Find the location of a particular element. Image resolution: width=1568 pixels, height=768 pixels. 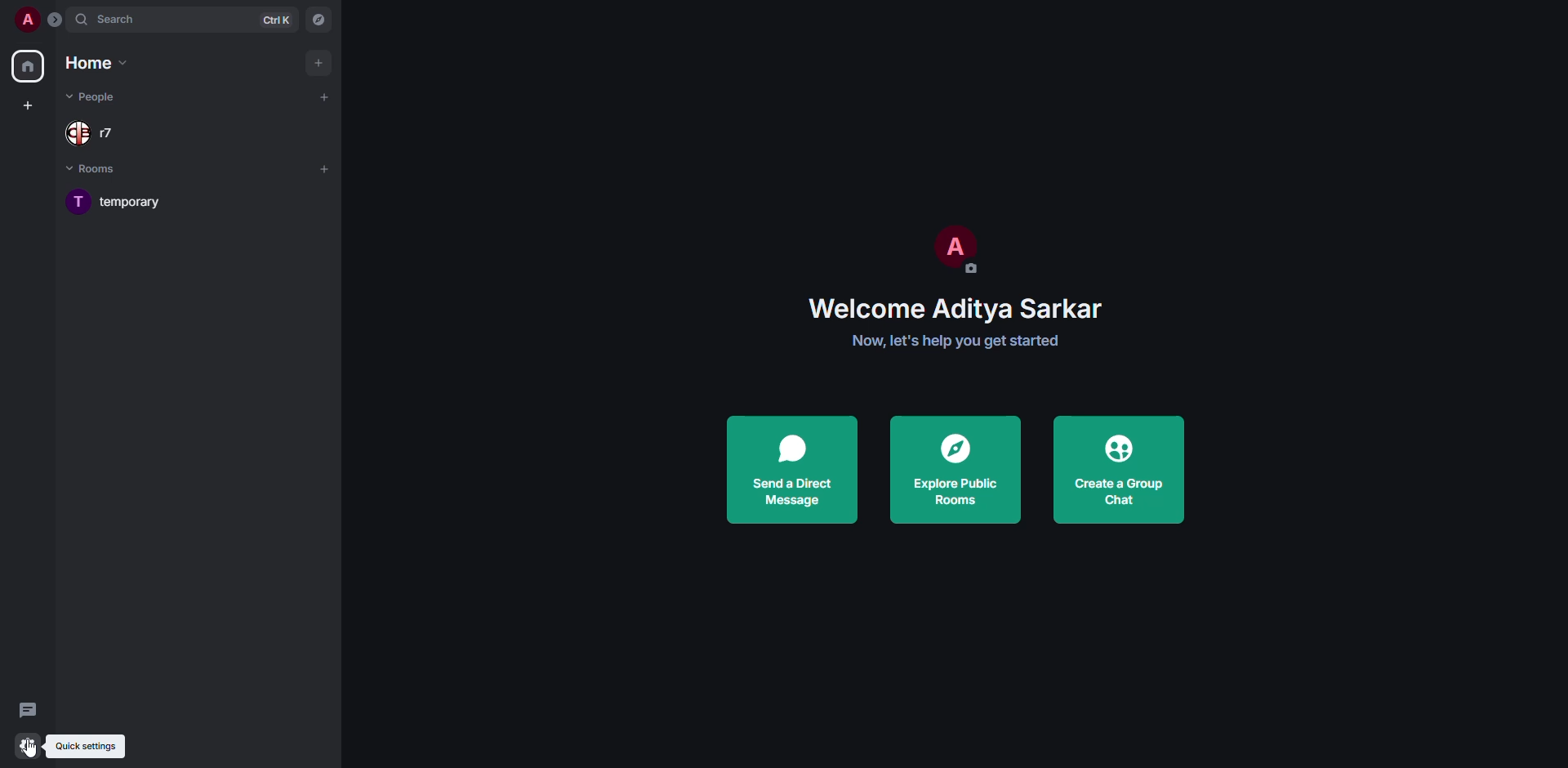

ctrl K is located at coordinates (277, 20).